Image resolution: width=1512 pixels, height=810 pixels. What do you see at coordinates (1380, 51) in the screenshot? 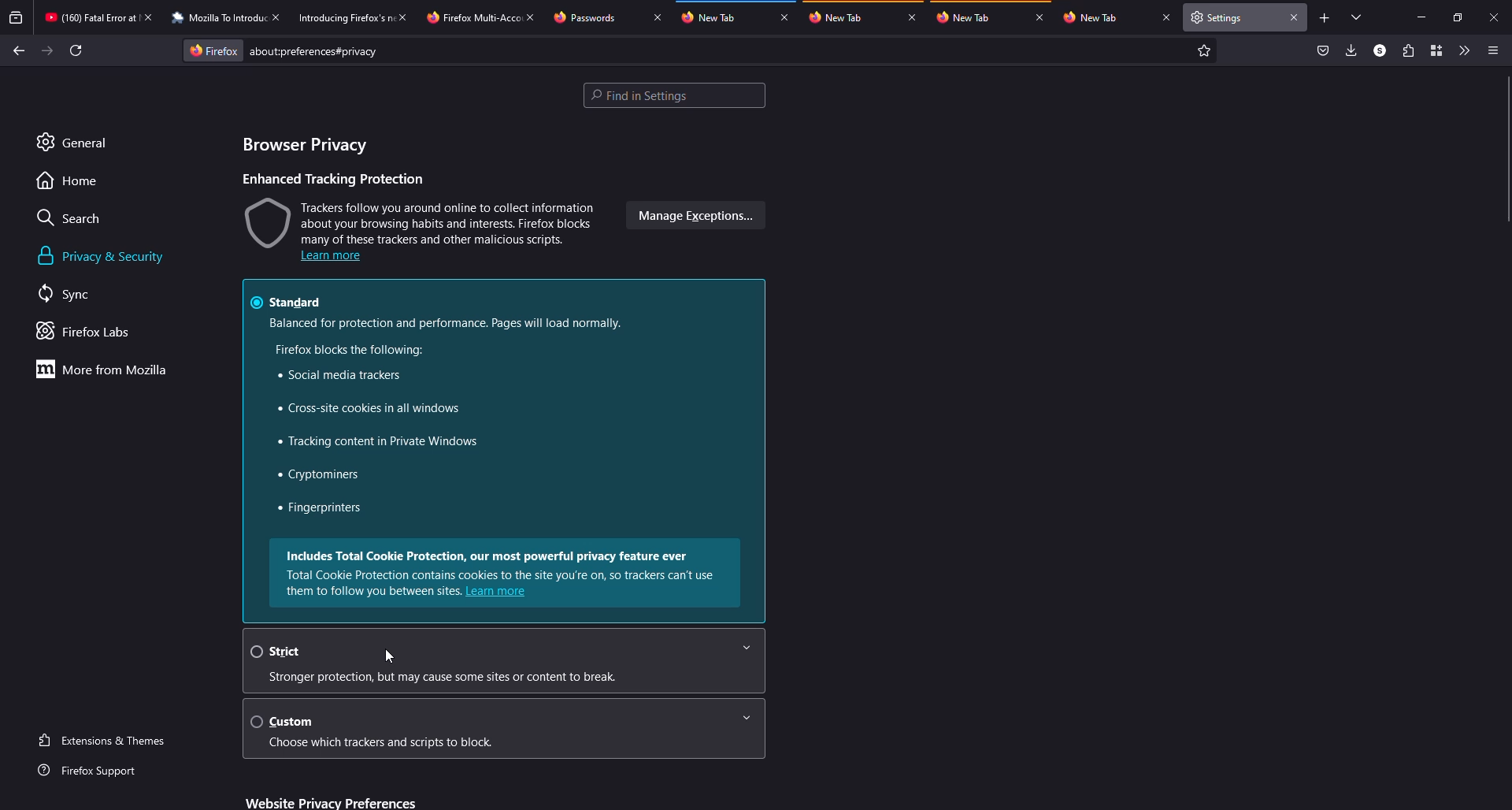
I see `account` at bounding box center [1380, 51].